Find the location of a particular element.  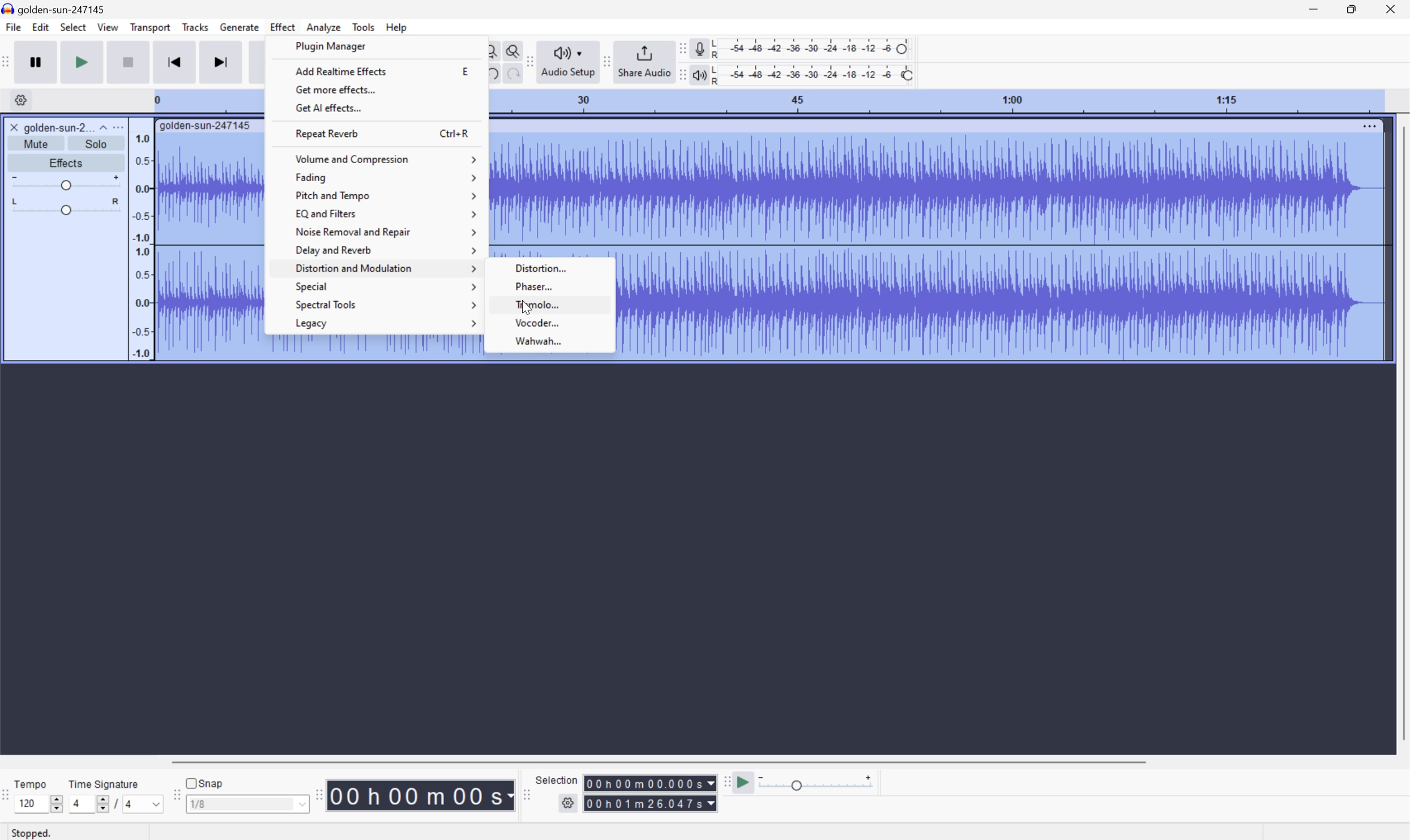

EQ and filters is located at coordinates (387, 213).